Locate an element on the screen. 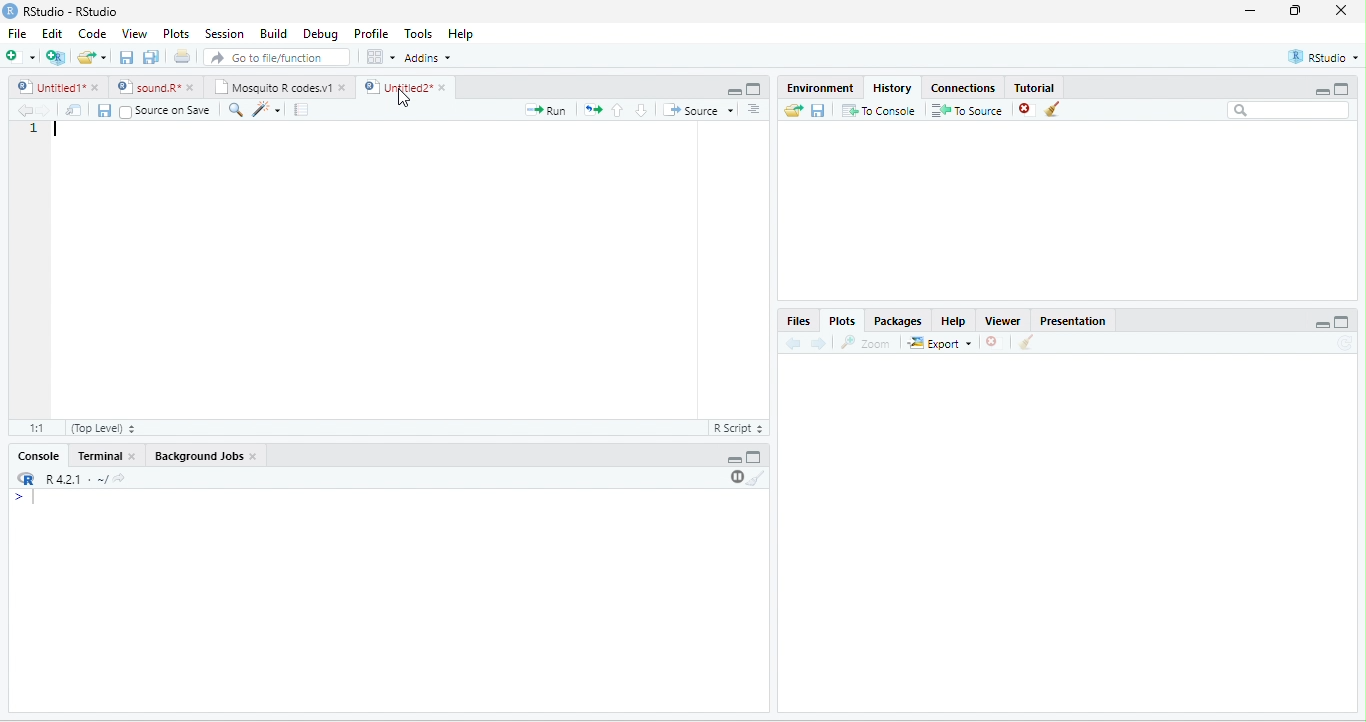 The height and width of the screenshot is (722, 1366). close is located at coordinates (344, 88).